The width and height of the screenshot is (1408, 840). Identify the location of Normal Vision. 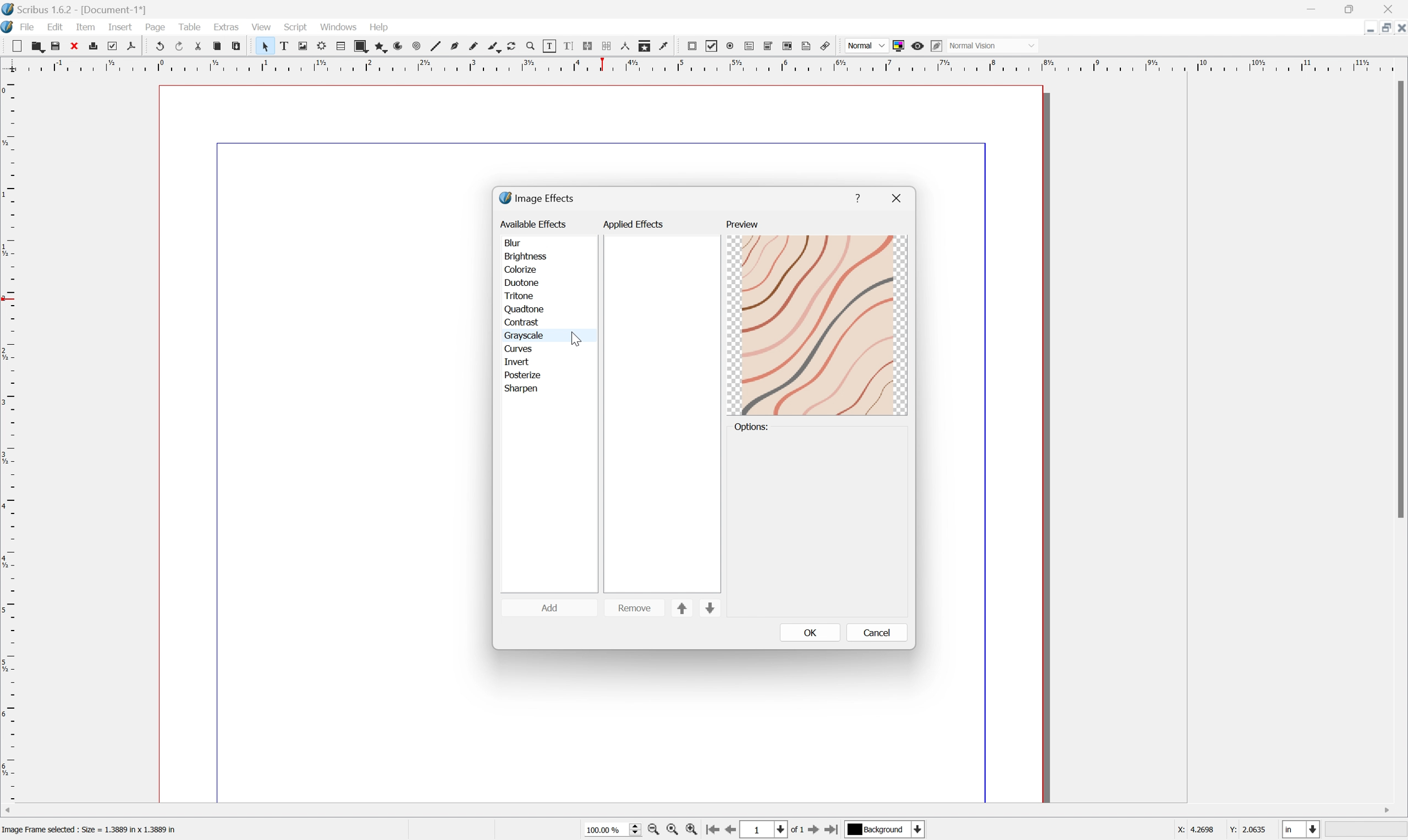
(995, 44).